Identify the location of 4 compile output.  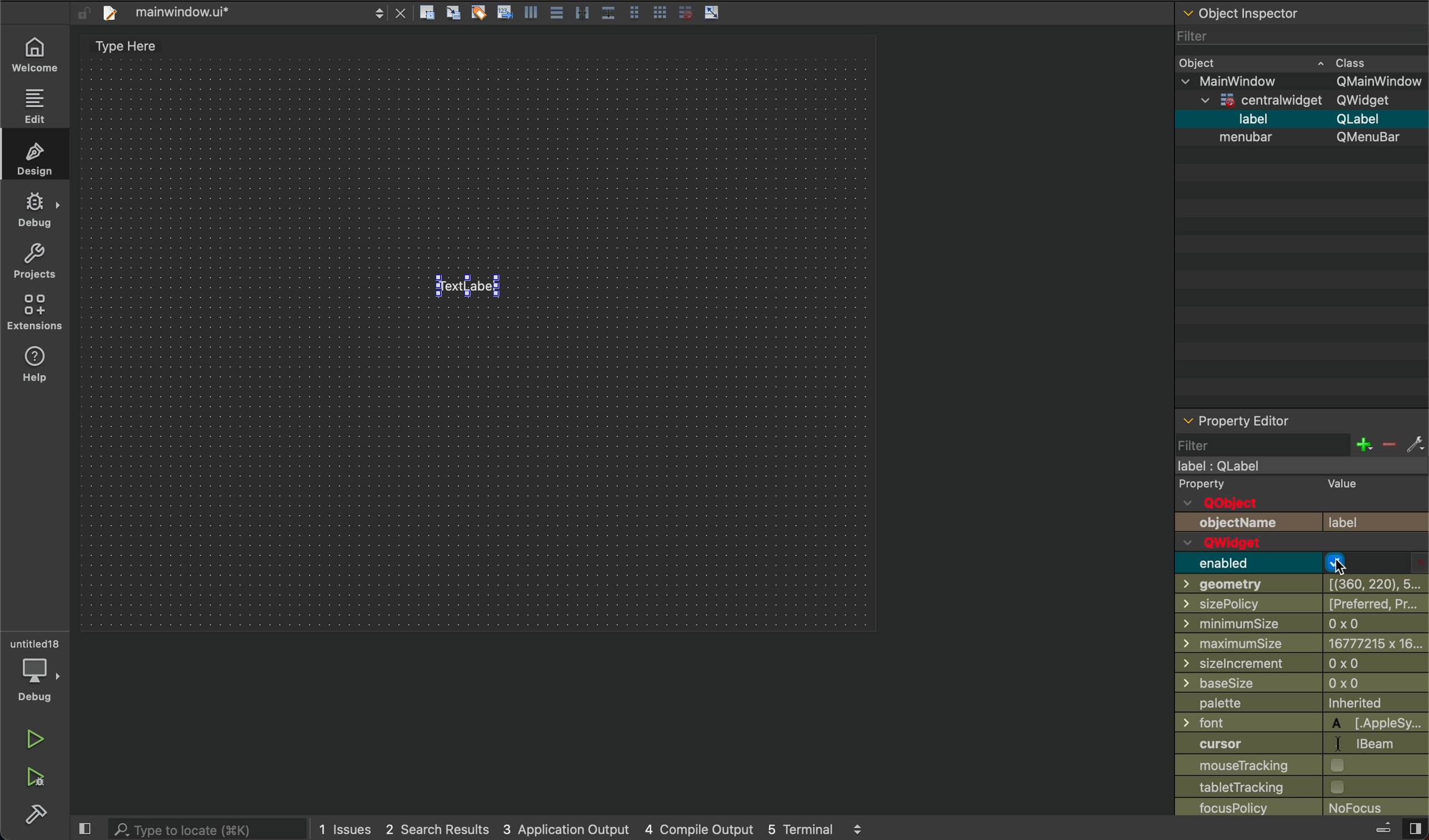
(696, 825).